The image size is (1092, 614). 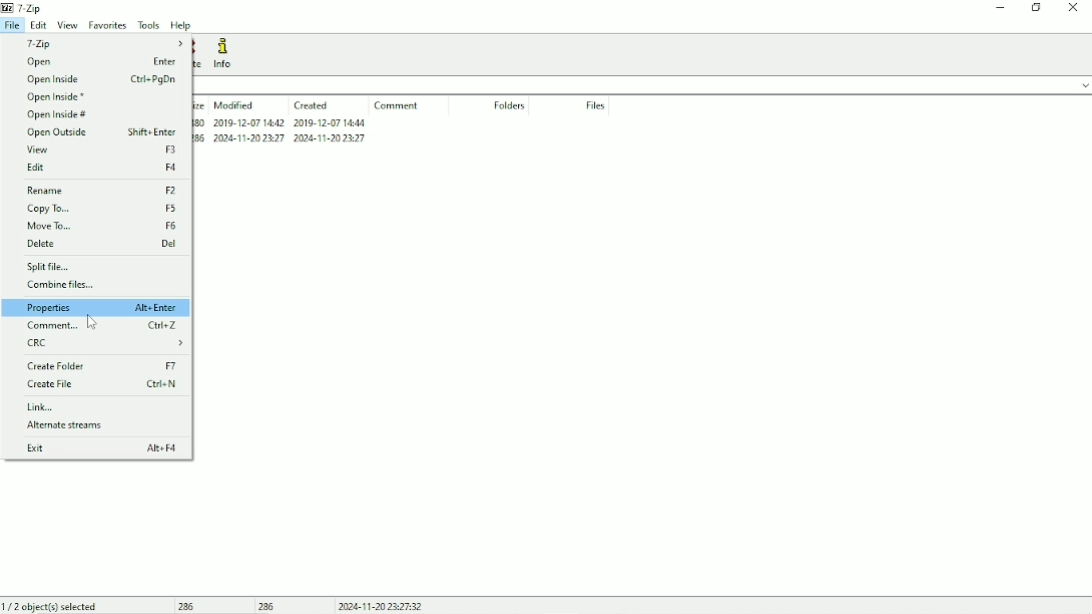 I want to click on Link, so click(x=46, y=407).